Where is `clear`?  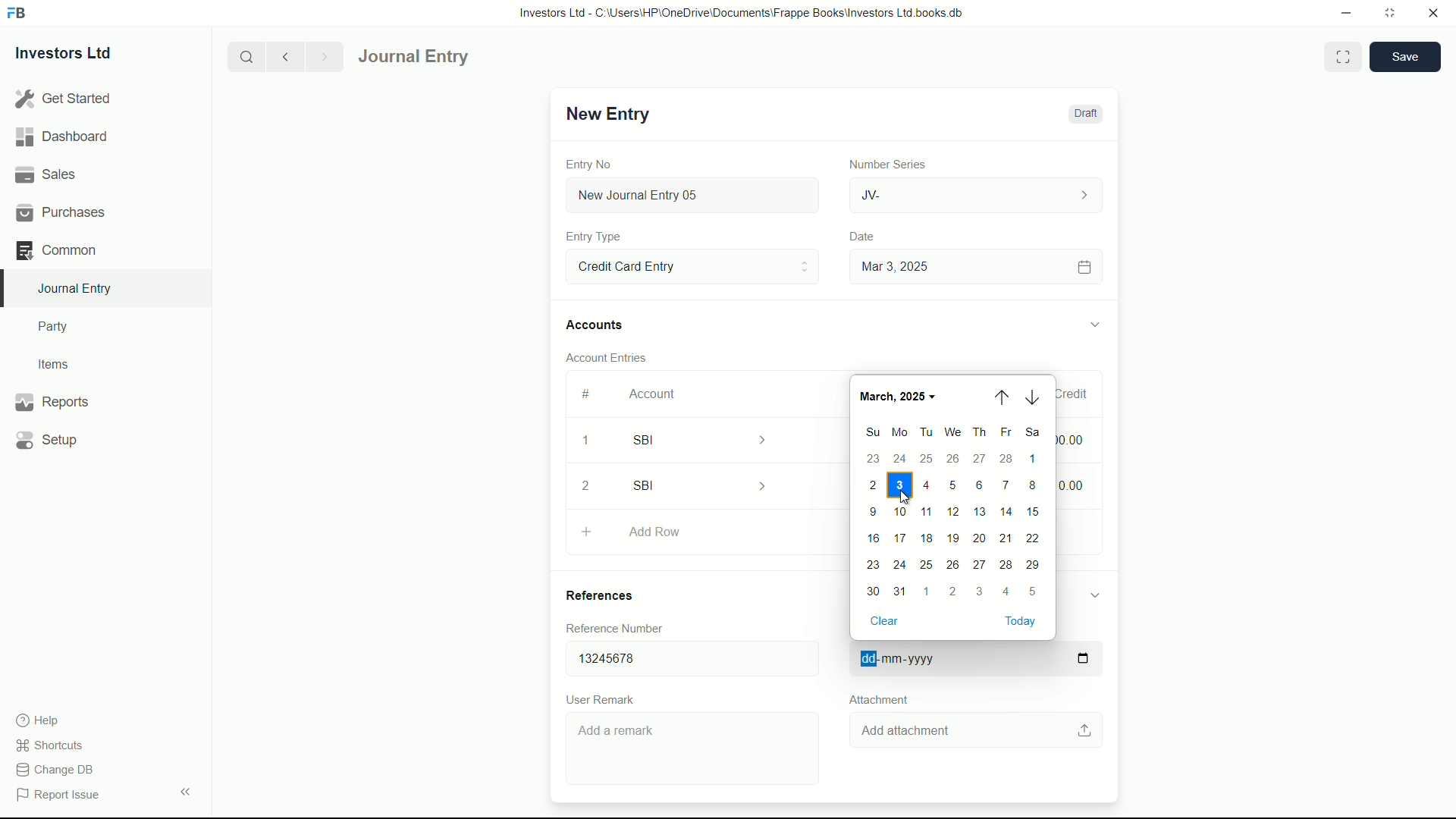
clear is located at coordinates (883, 620).